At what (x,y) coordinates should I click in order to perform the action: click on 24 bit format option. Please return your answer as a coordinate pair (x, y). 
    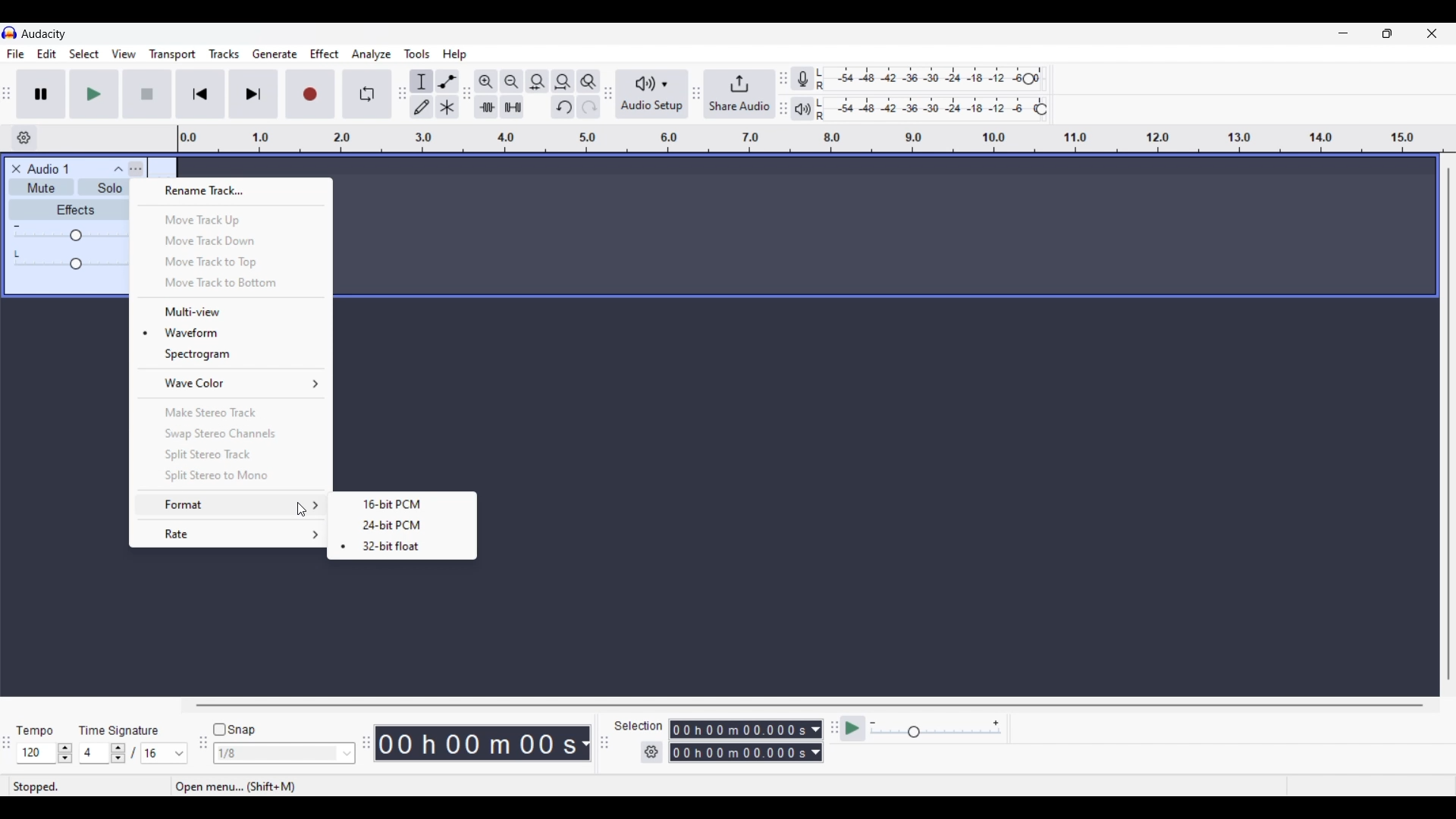
    Looking at the image, I should click on (403, 525).